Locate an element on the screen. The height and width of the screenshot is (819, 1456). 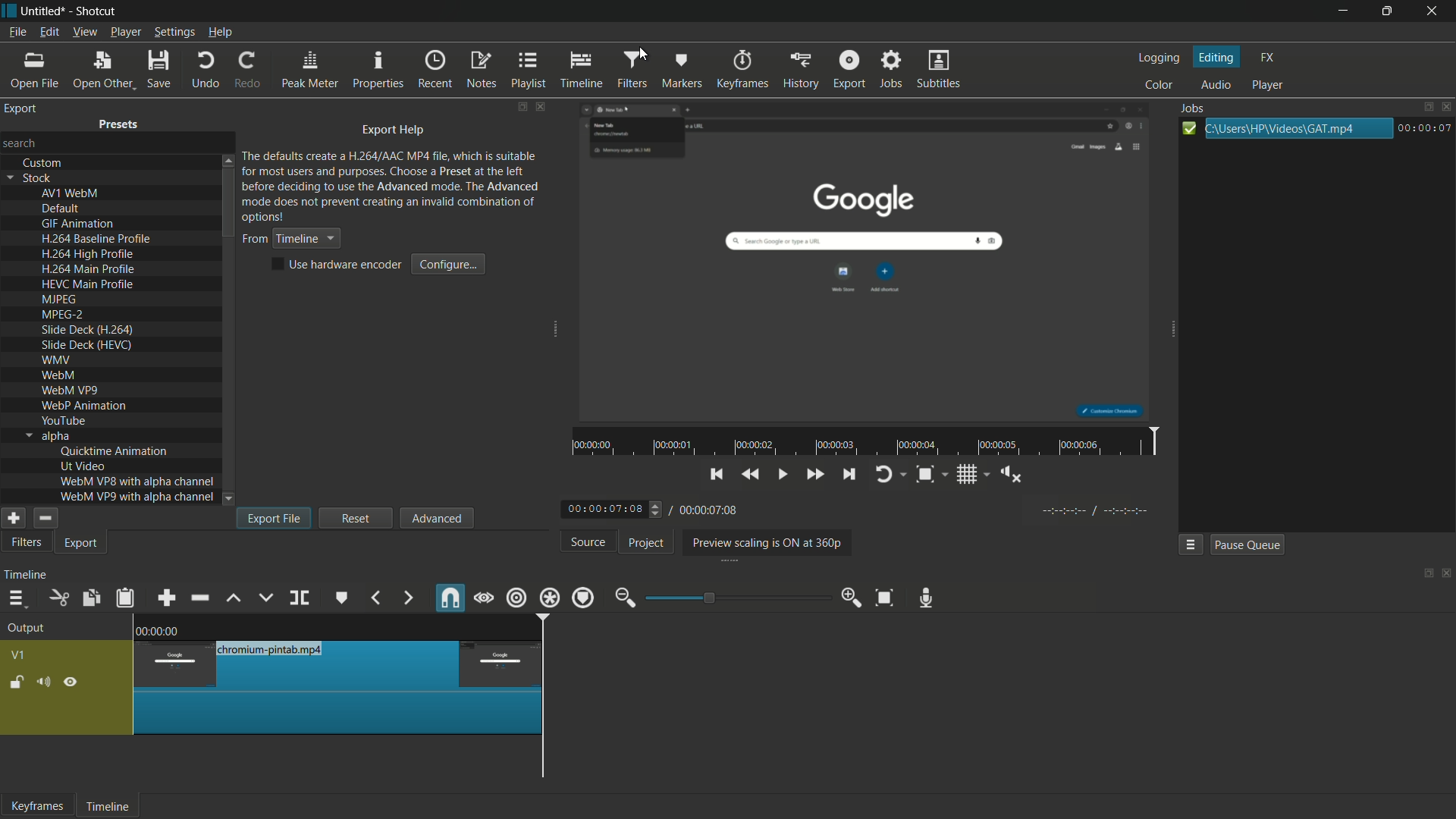
snap is located at coordinates (449, 598).